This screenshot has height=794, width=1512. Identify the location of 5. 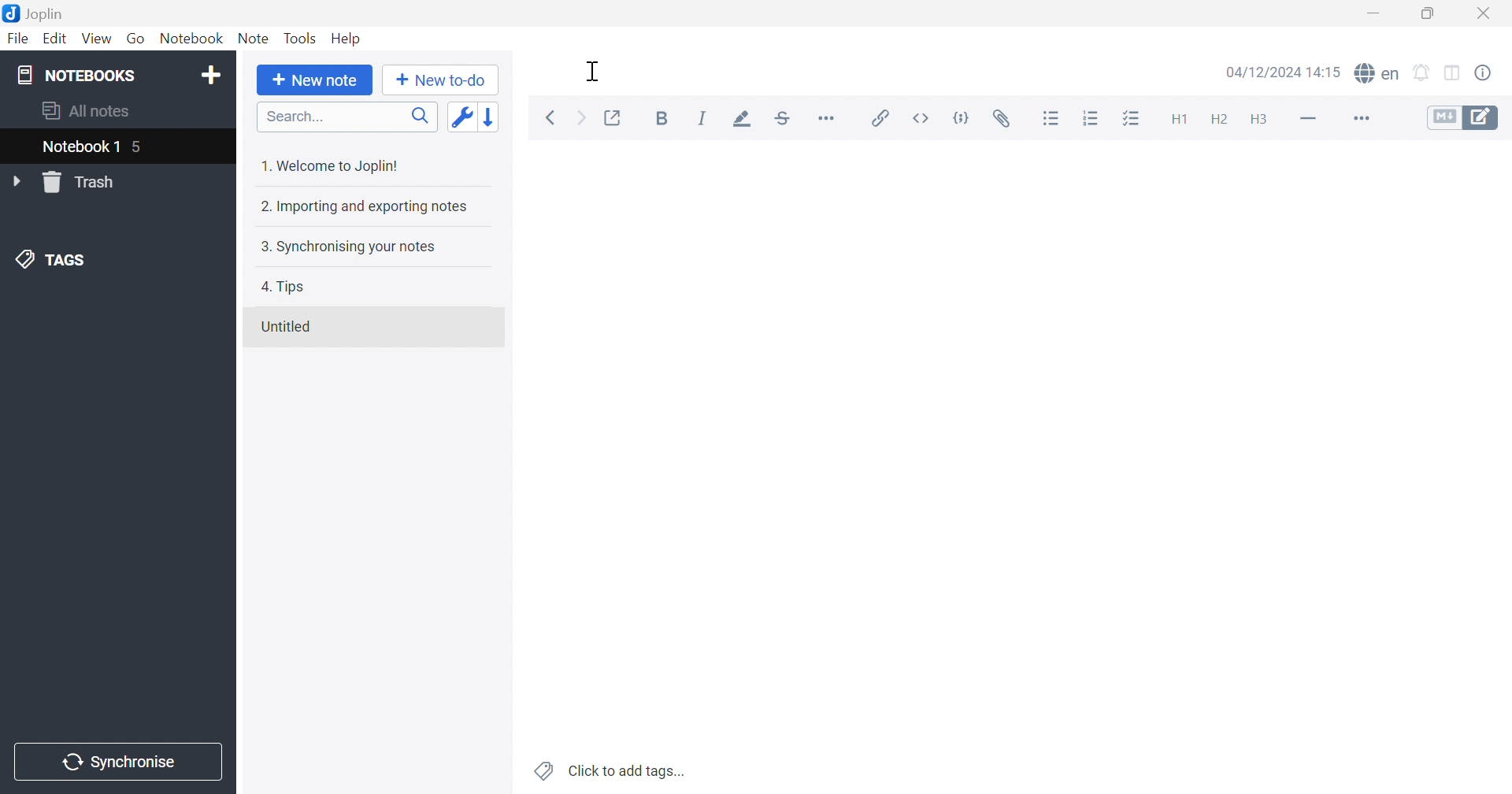
(139, 149).